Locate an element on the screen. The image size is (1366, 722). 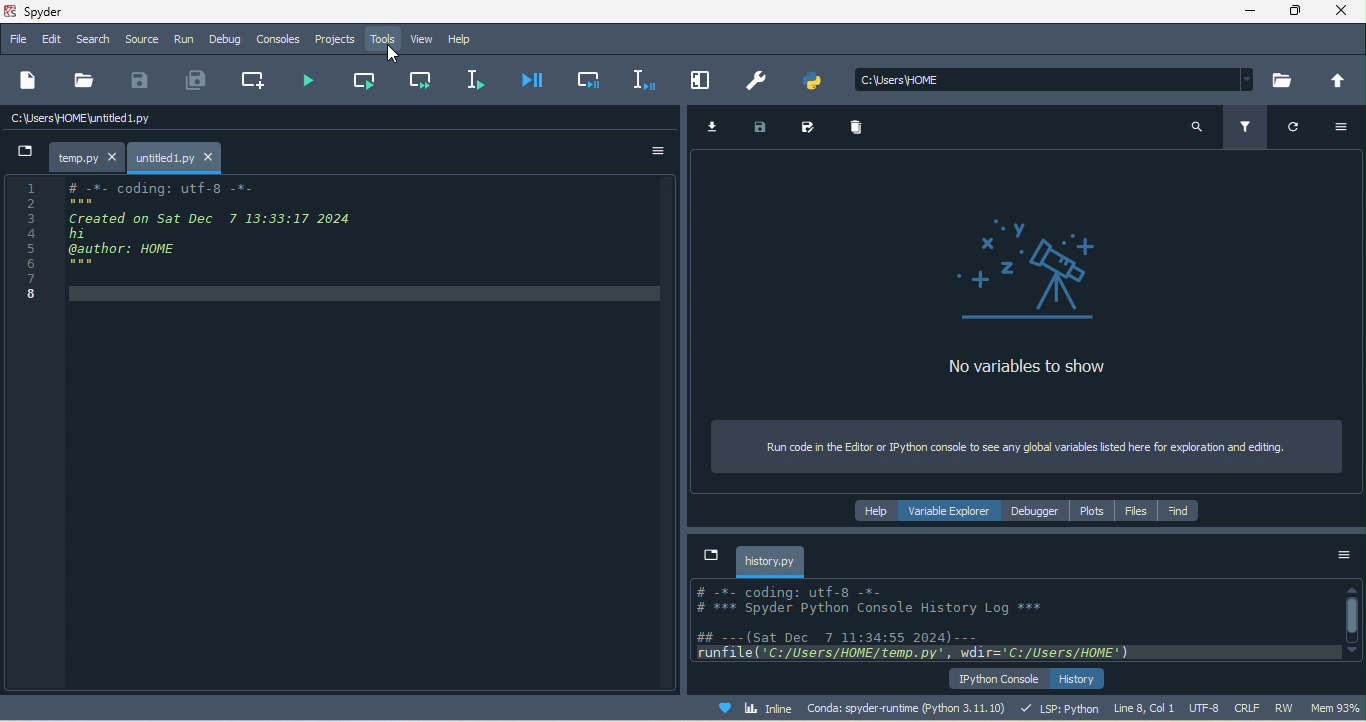
save is located at coordinates (143, 81).